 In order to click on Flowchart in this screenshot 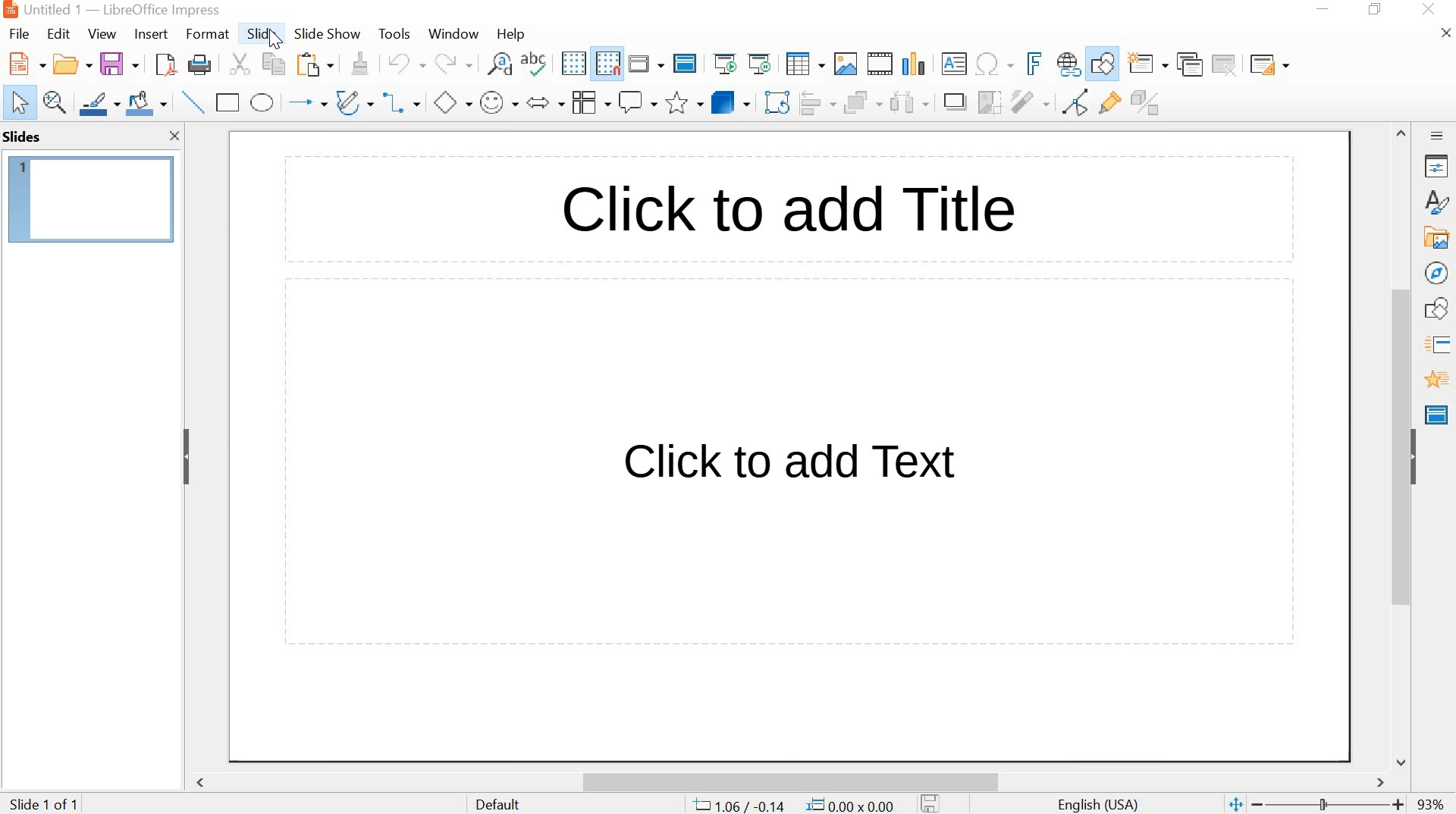, I will do `click(590, 102)`.